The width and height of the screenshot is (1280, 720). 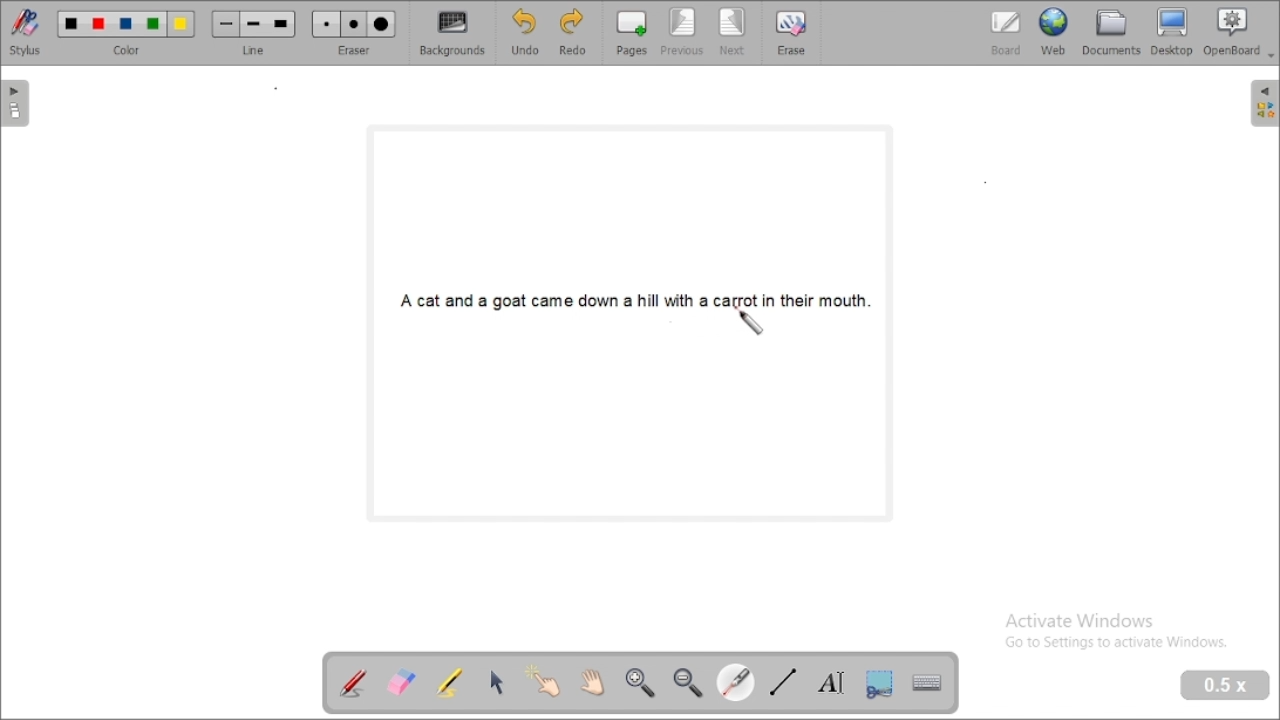 What do you see at coordinates (450, 681) in the screenshot?
I see `highlight` at bounding box center [450, 681].